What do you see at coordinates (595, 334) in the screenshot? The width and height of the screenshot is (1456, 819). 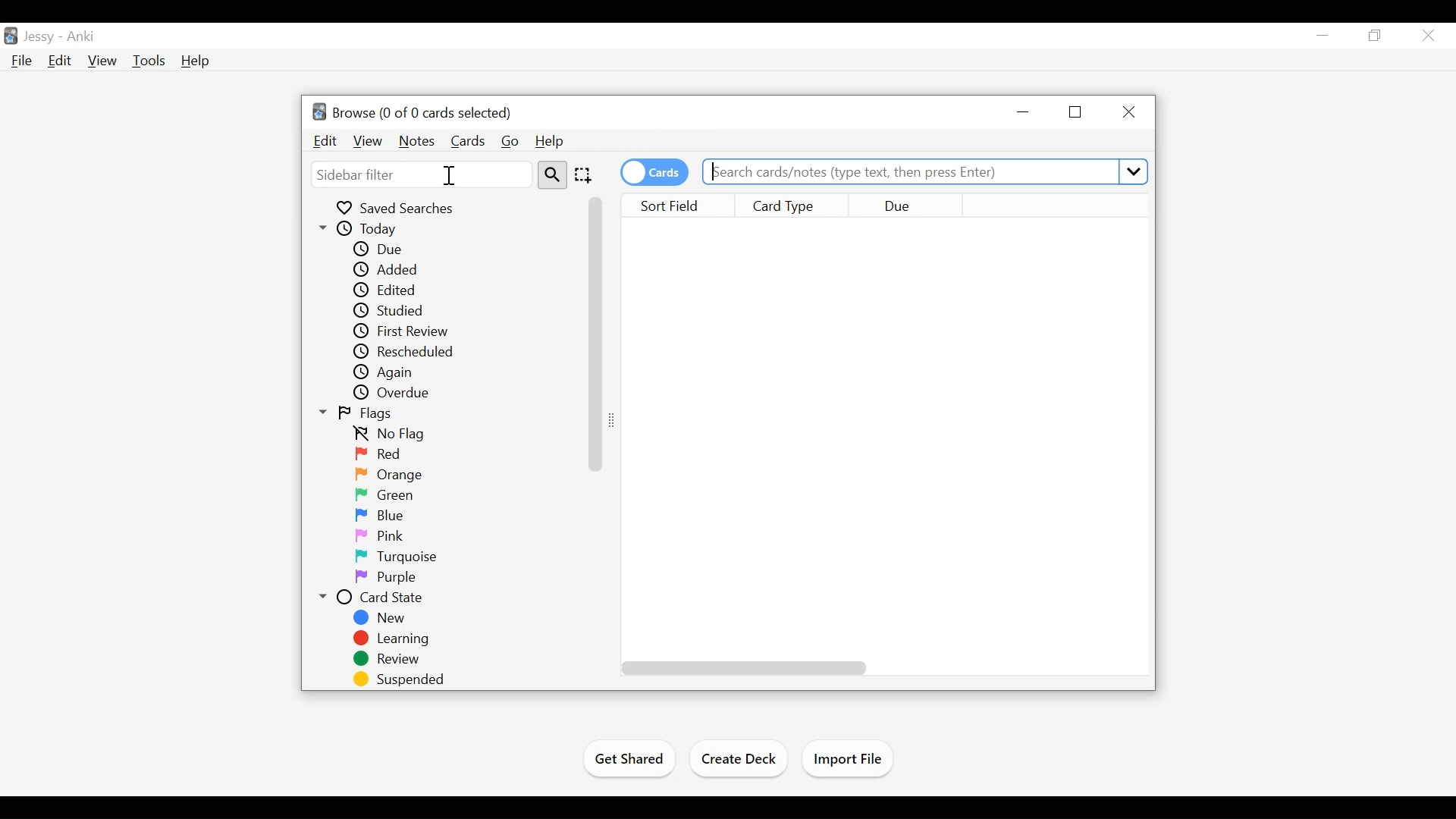 I see `Vertical Scroll bar` at bounding box center [595, 334].